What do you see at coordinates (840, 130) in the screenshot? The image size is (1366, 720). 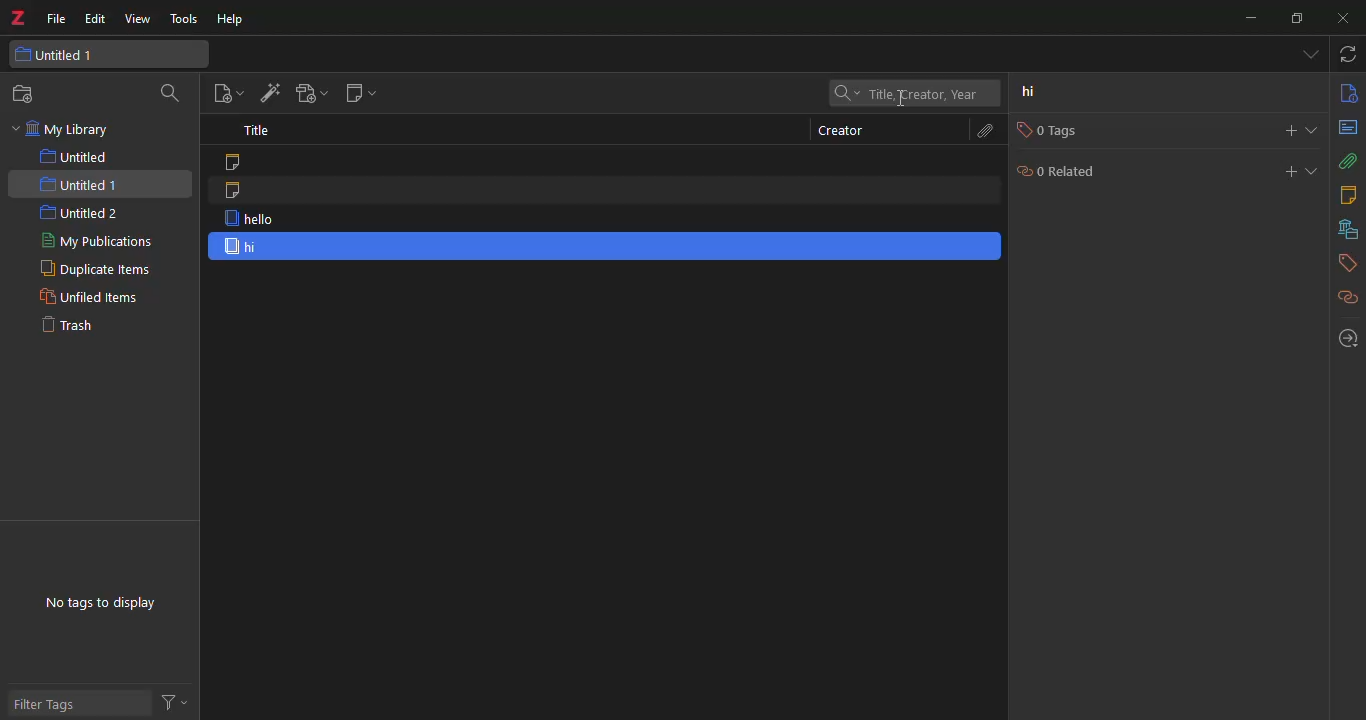 I see `creator` at bounding box center [840, 130].